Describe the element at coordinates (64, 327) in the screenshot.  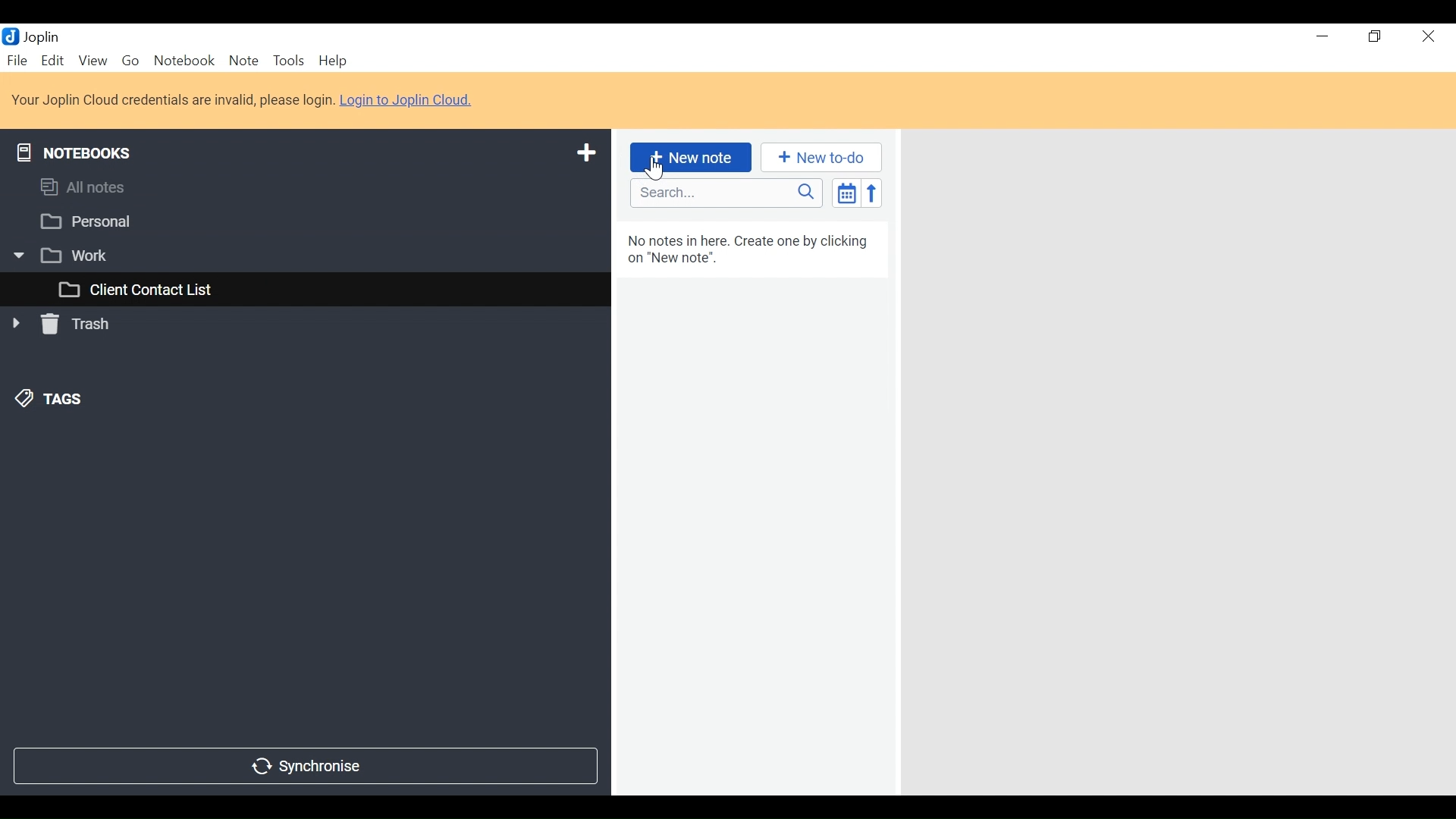
I see `Trash` at that location.